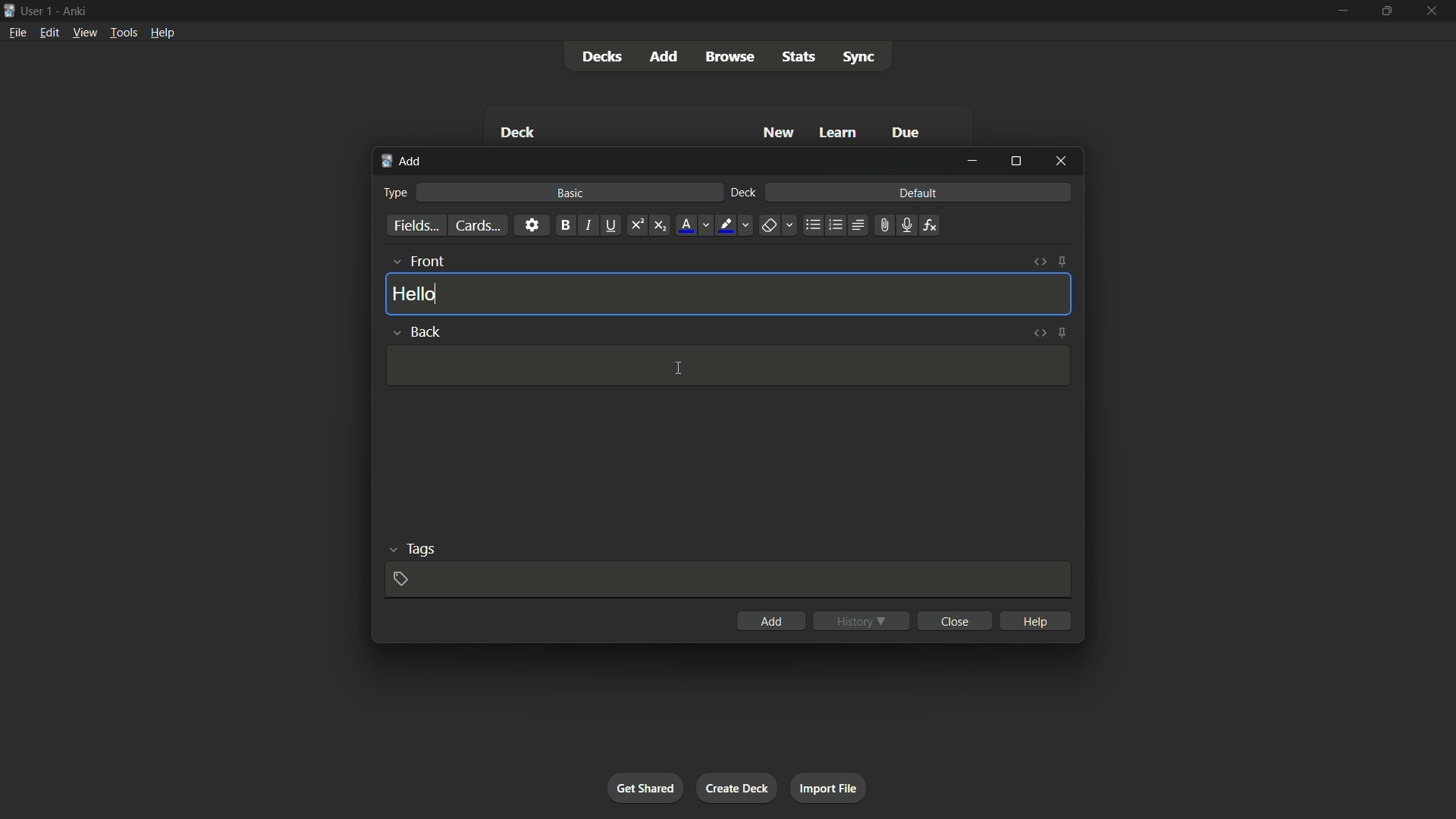  Describe the element at coordinates (532, 224) in the screenshot. I see `settings` at that location.